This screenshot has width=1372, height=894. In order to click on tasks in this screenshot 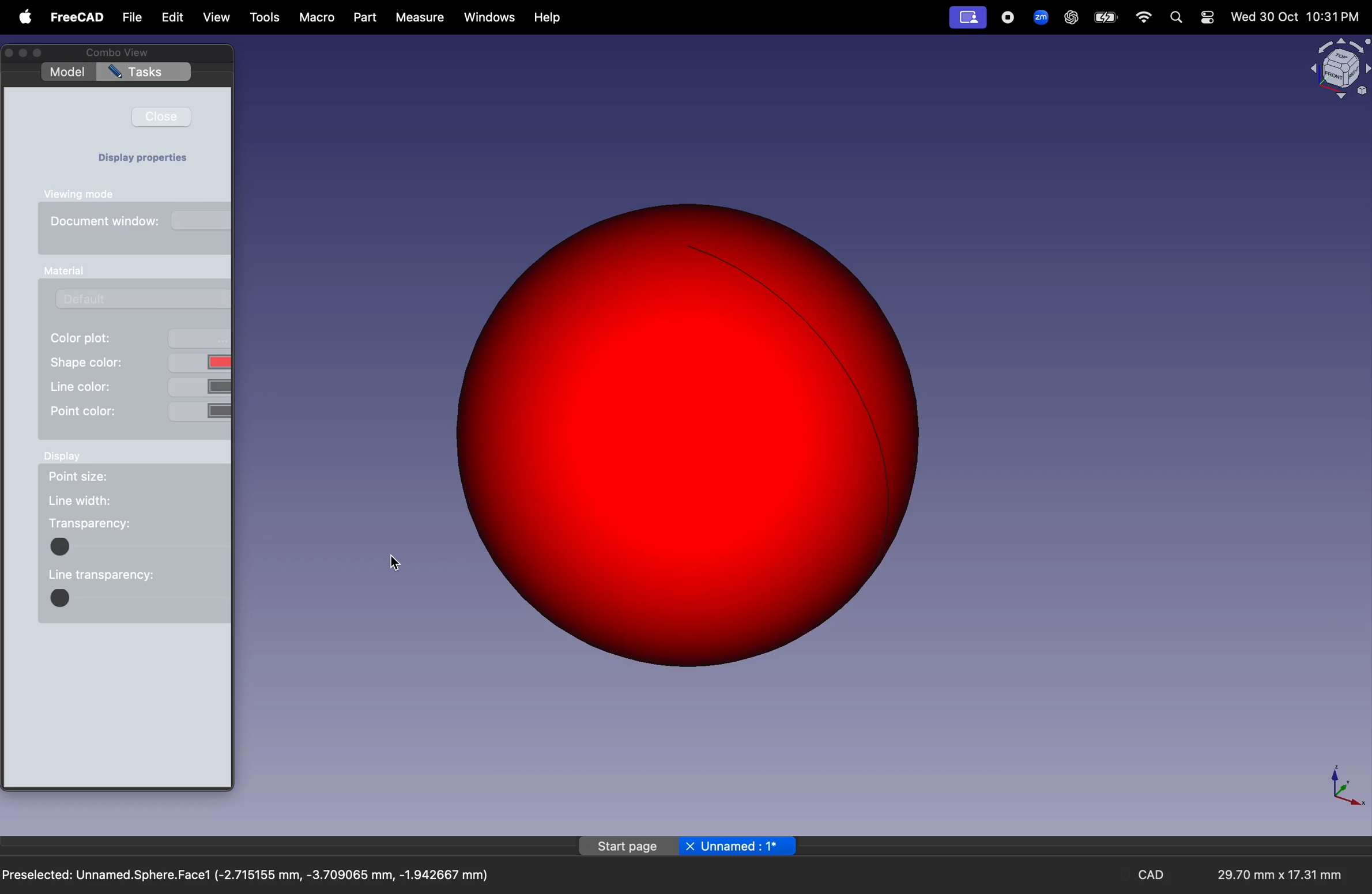, I will do `click(144, 72)`.